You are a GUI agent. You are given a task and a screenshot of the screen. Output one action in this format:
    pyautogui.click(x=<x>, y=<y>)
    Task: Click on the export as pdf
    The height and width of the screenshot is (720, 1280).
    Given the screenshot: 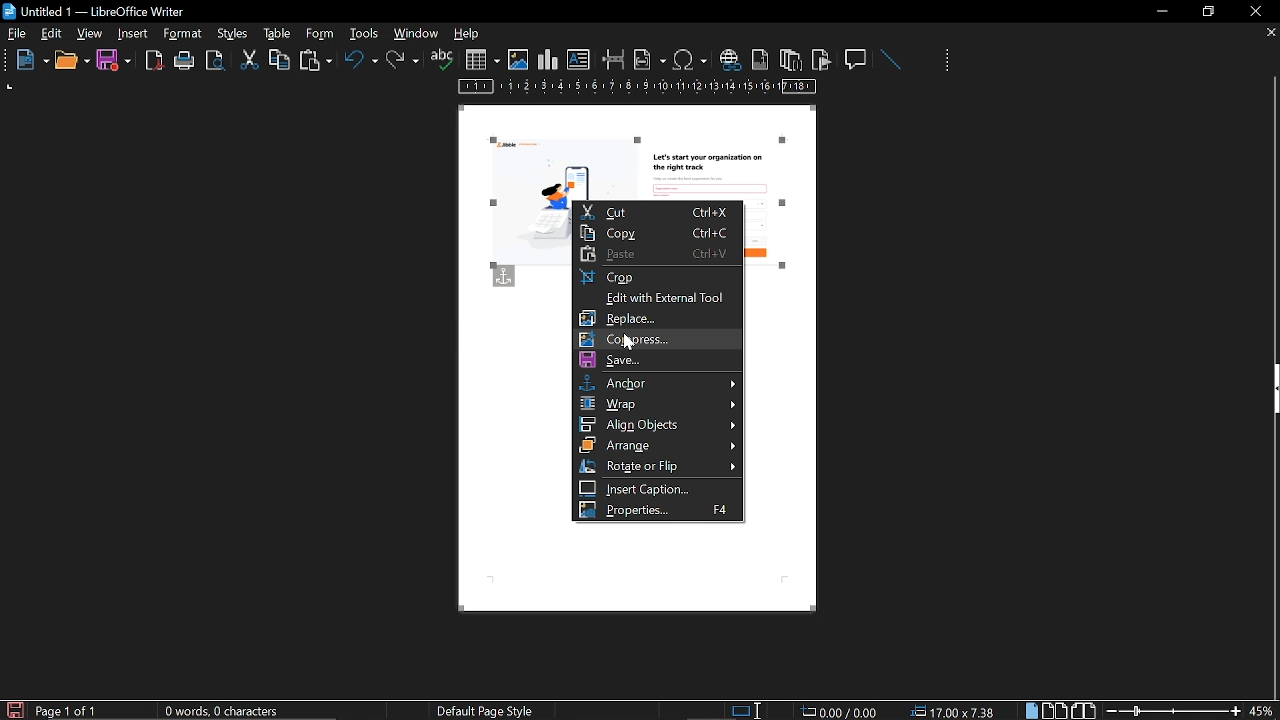 What is the action you would take?
    pyautogui.click(x=155, y=61)
    